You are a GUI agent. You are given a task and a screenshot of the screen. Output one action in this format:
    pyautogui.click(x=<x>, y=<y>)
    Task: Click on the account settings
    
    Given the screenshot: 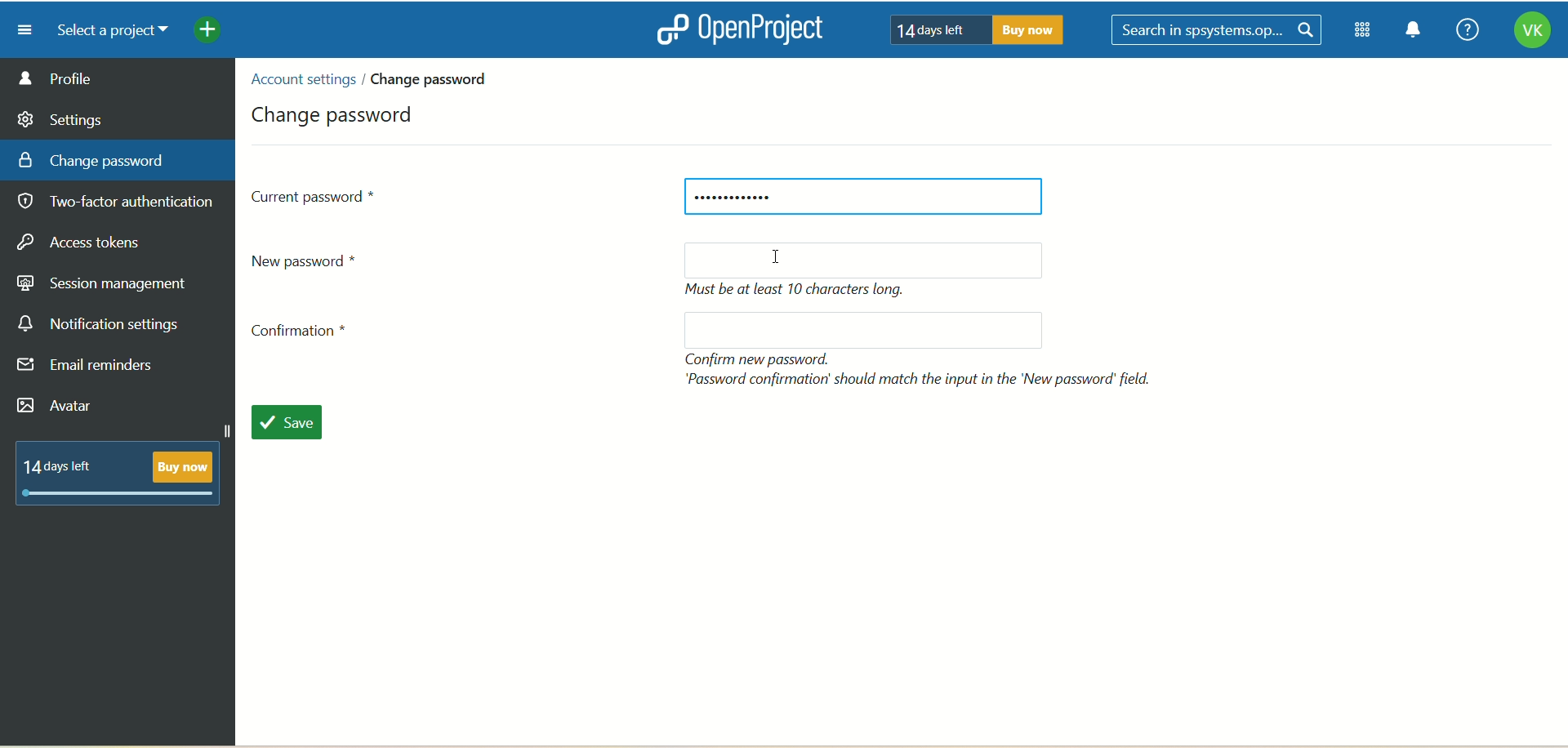 What is the action you would take?
    pyautogui.click(x=301, y=79)
    